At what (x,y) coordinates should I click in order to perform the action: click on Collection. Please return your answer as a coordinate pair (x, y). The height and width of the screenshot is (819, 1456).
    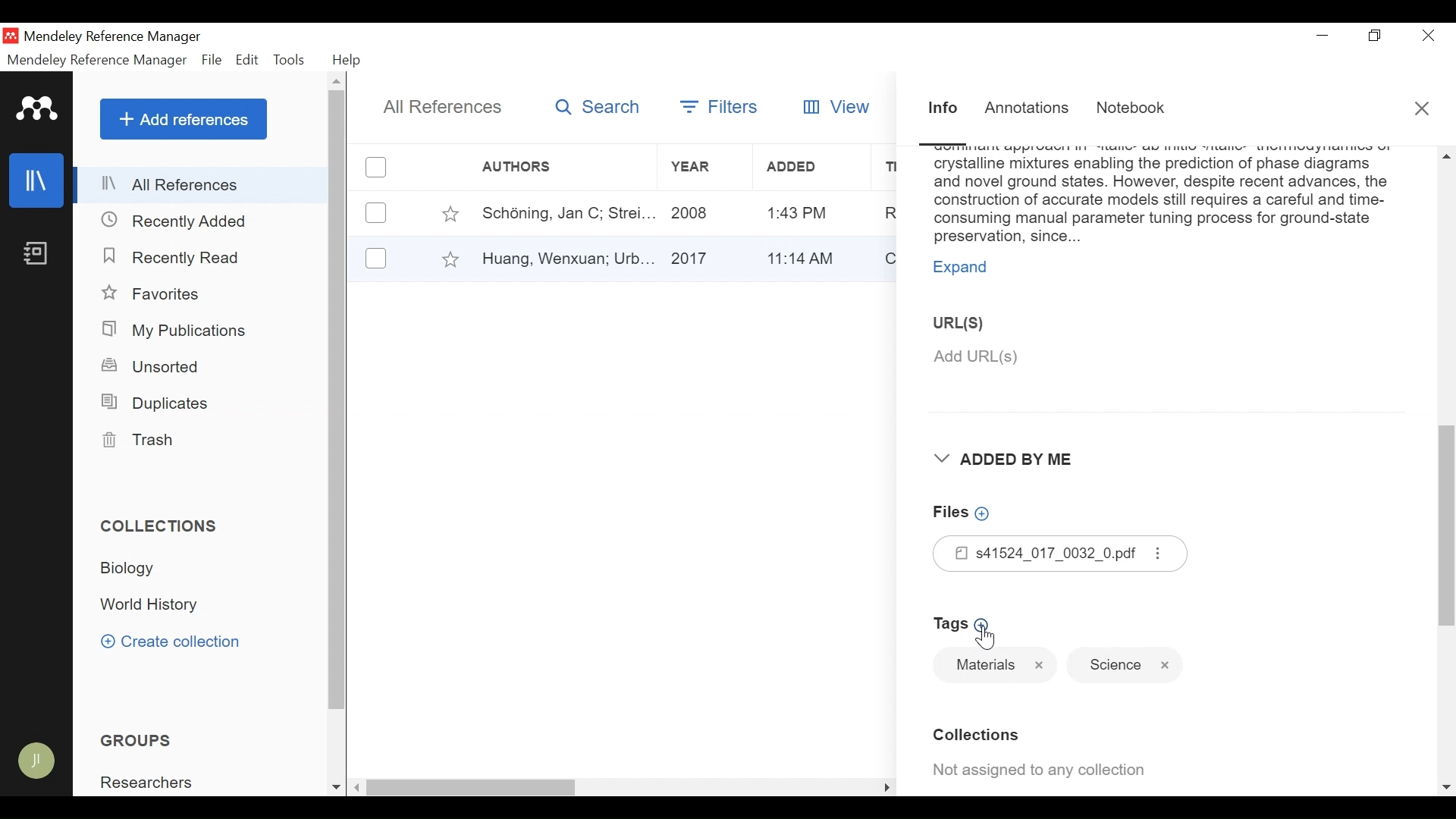
    Looking at the image, I should click on (133, 568).